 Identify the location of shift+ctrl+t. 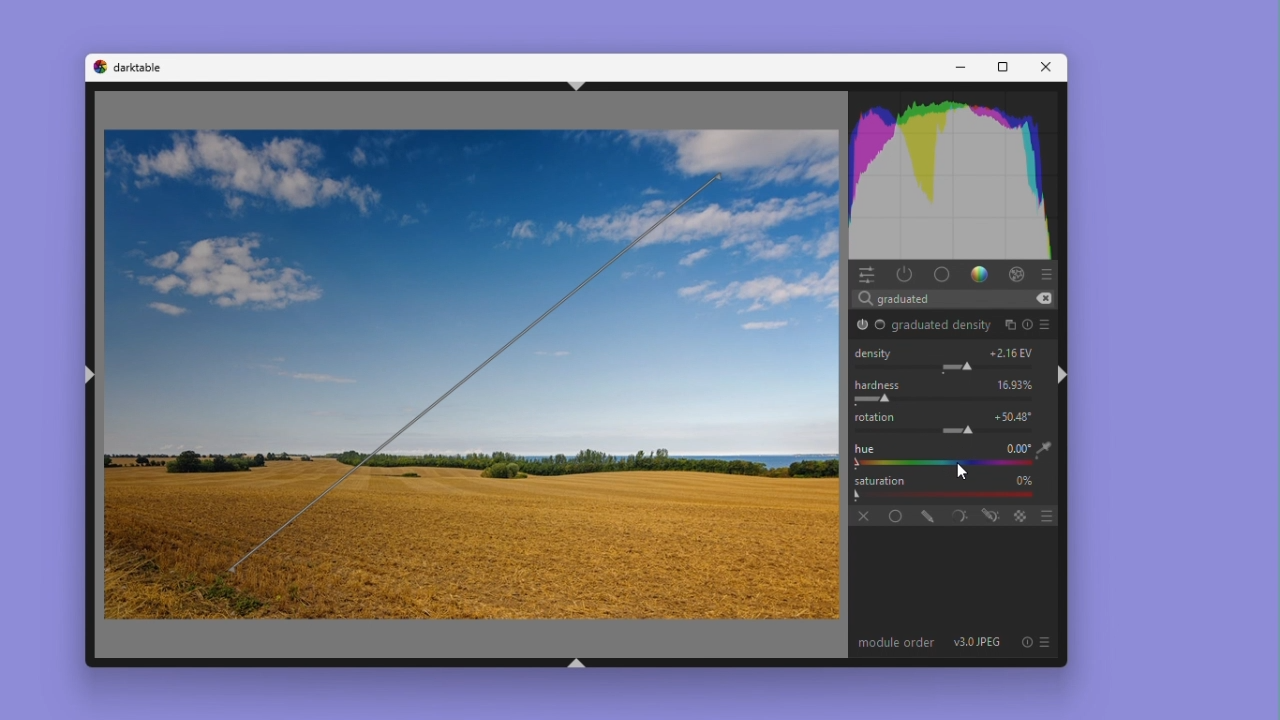
(571, 85).